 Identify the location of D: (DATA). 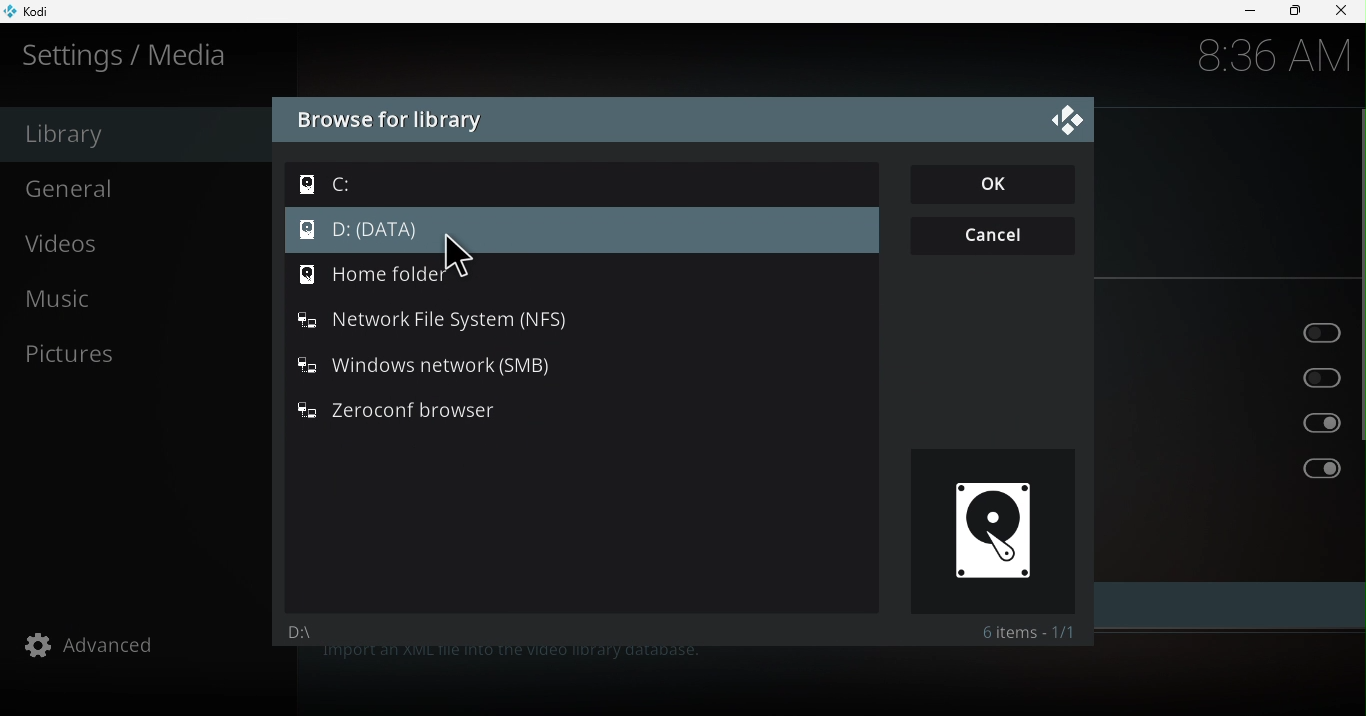
(583, 228).